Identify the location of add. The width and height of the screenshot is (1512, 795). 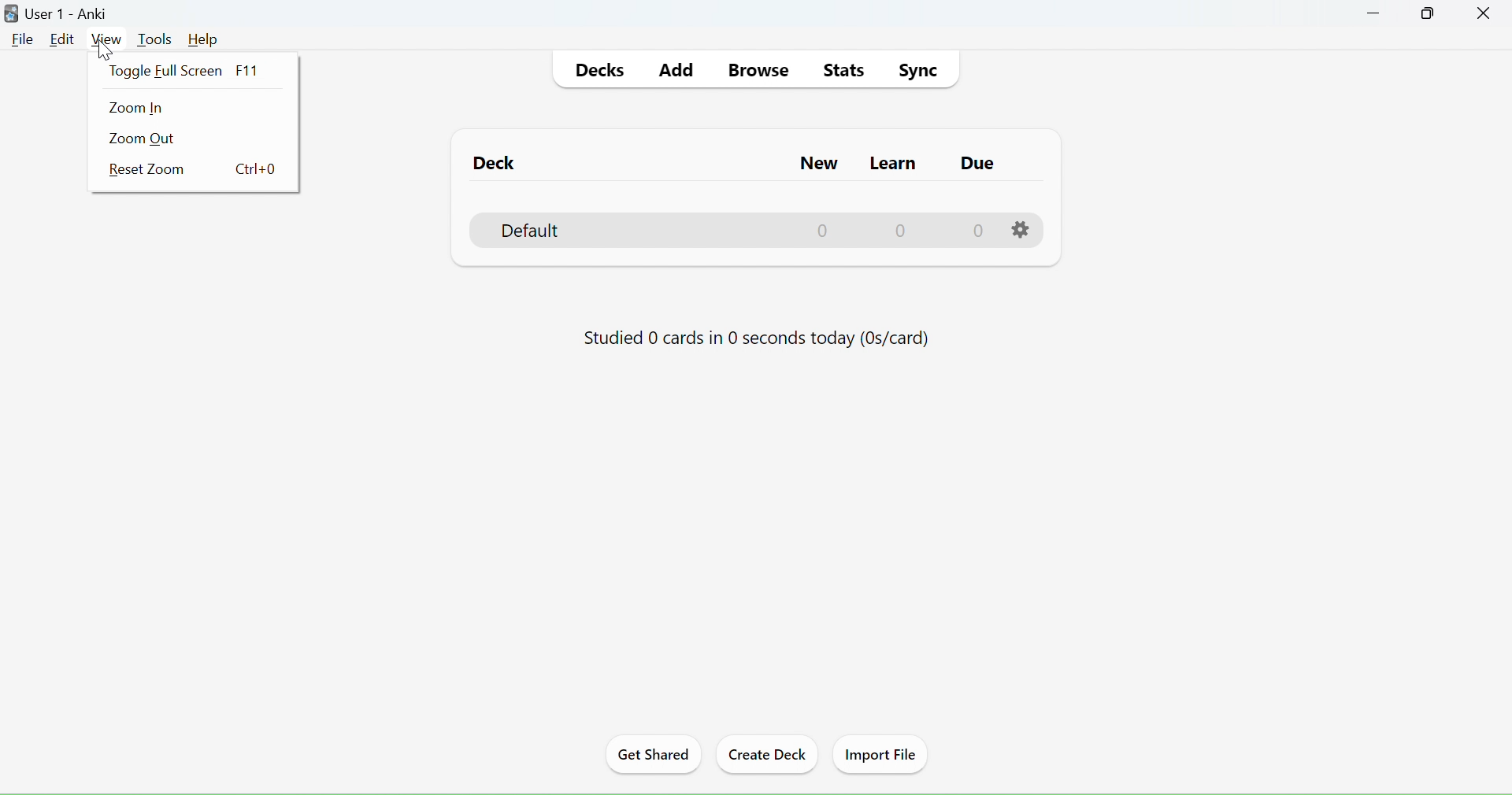
(678, 71).